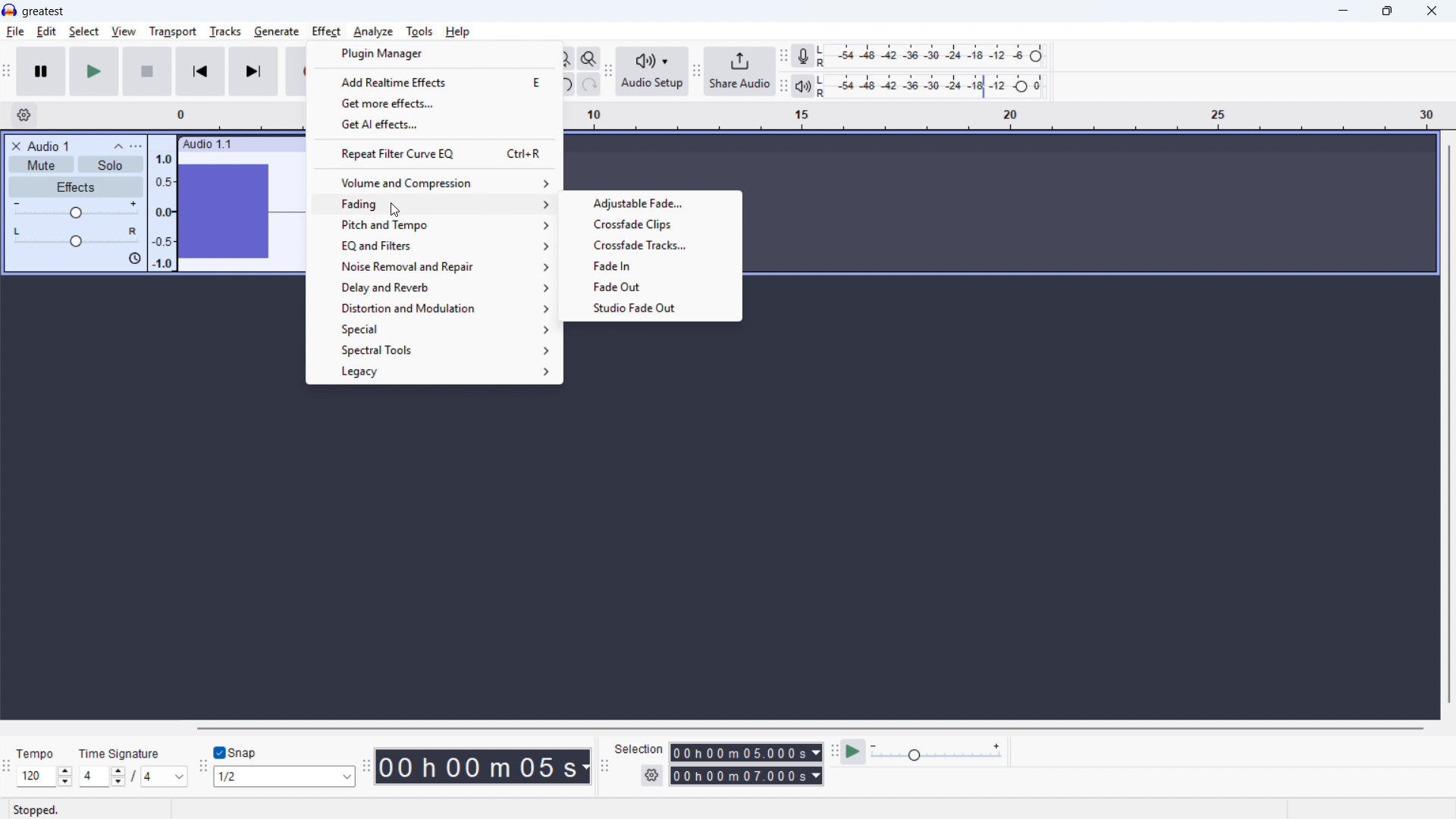 The width and height of the screenshot is (1456, 819). What do you see at coordinates (435, 288) in the screenshot?
I see `Delay and reverb ` at bounding box center [435, 288].